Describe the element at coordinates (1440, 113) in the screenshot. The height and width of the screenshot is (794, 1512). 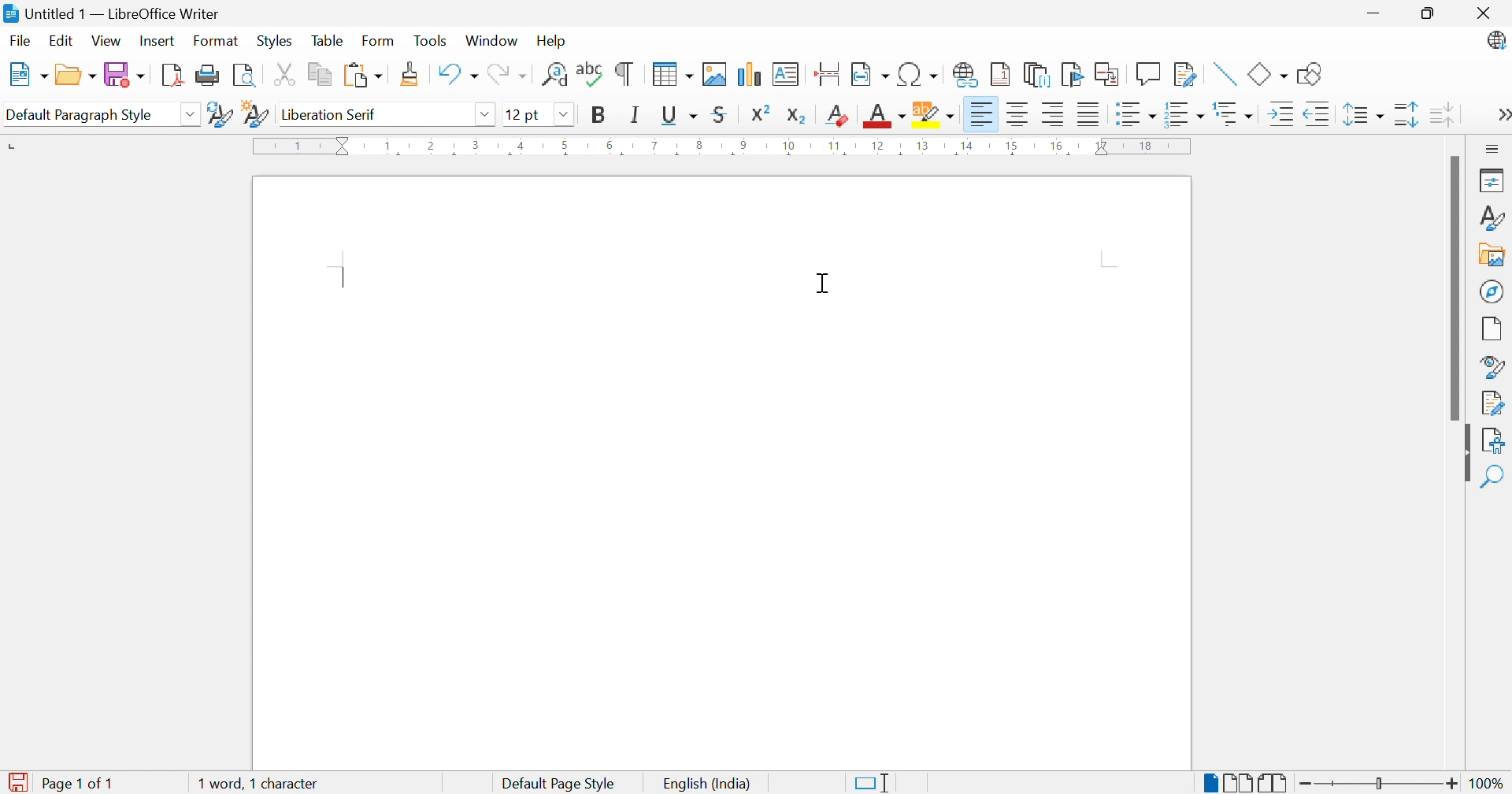
I see `Decrease Paragraph Spacing` at that location.